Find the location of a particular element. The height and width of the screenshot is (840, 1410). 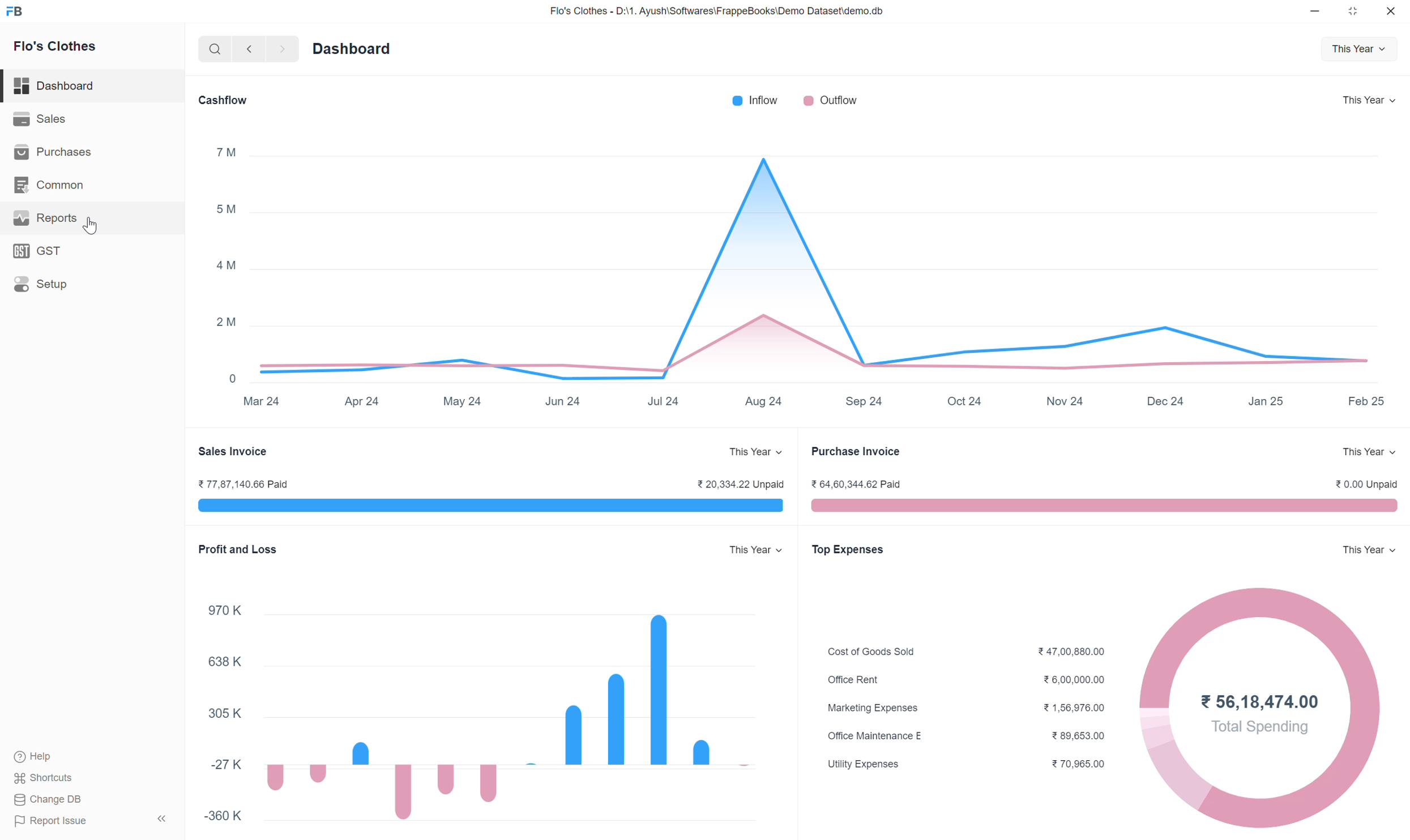

This Year is located at coordinates (1369, 554).